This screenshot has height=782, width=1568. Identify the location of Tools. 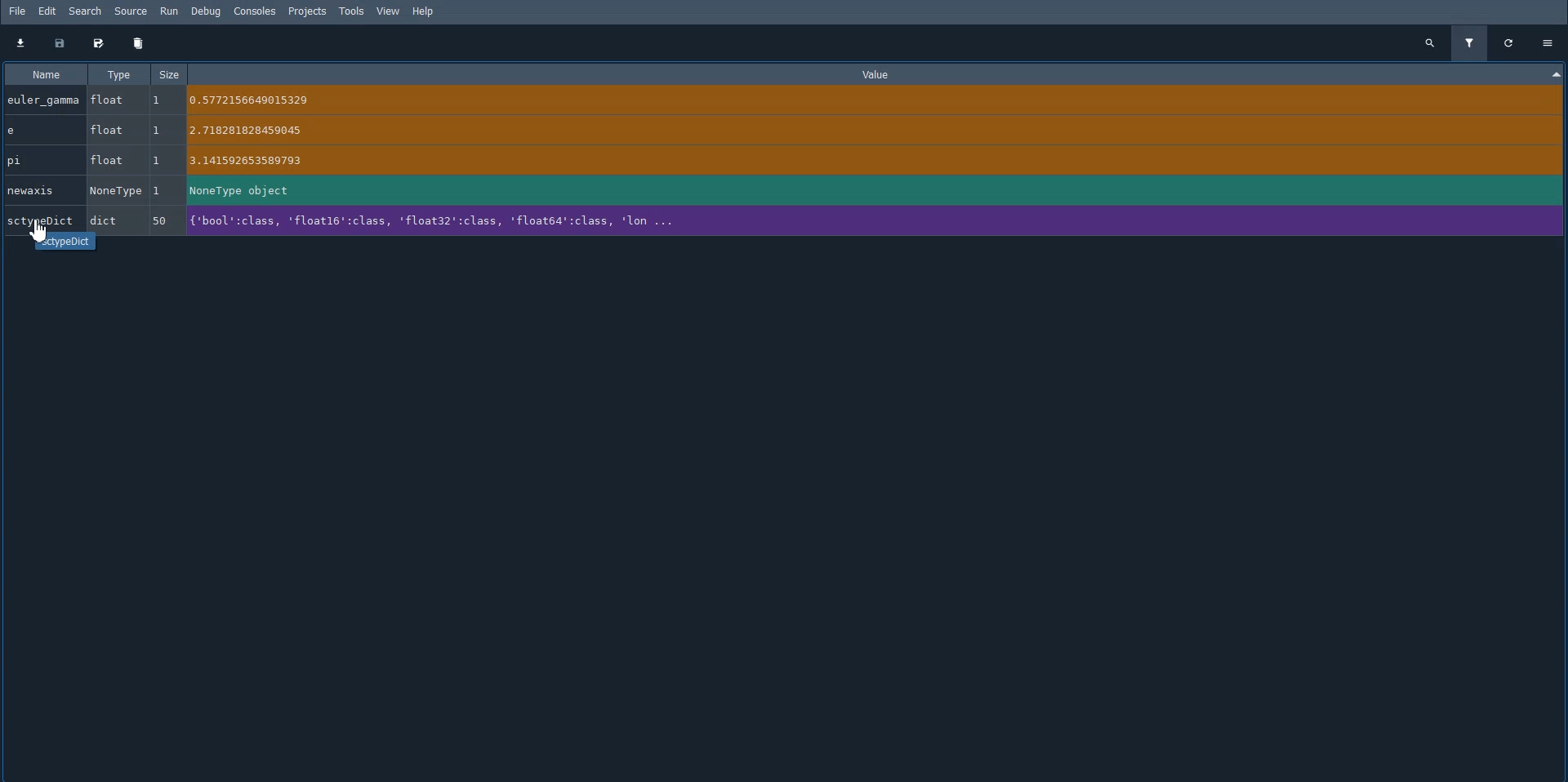
(352, 11).